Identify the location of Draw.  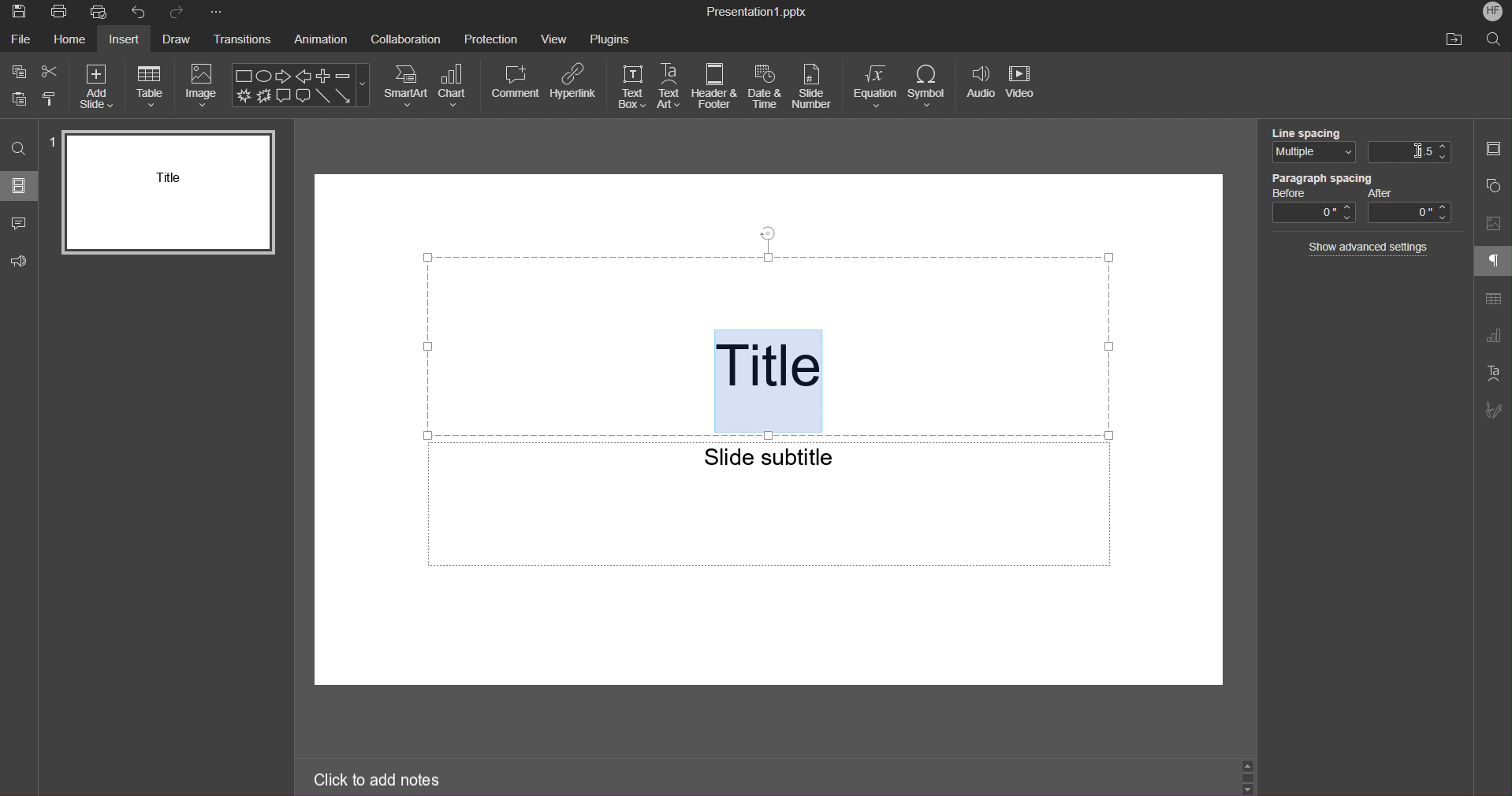
(174, 41).